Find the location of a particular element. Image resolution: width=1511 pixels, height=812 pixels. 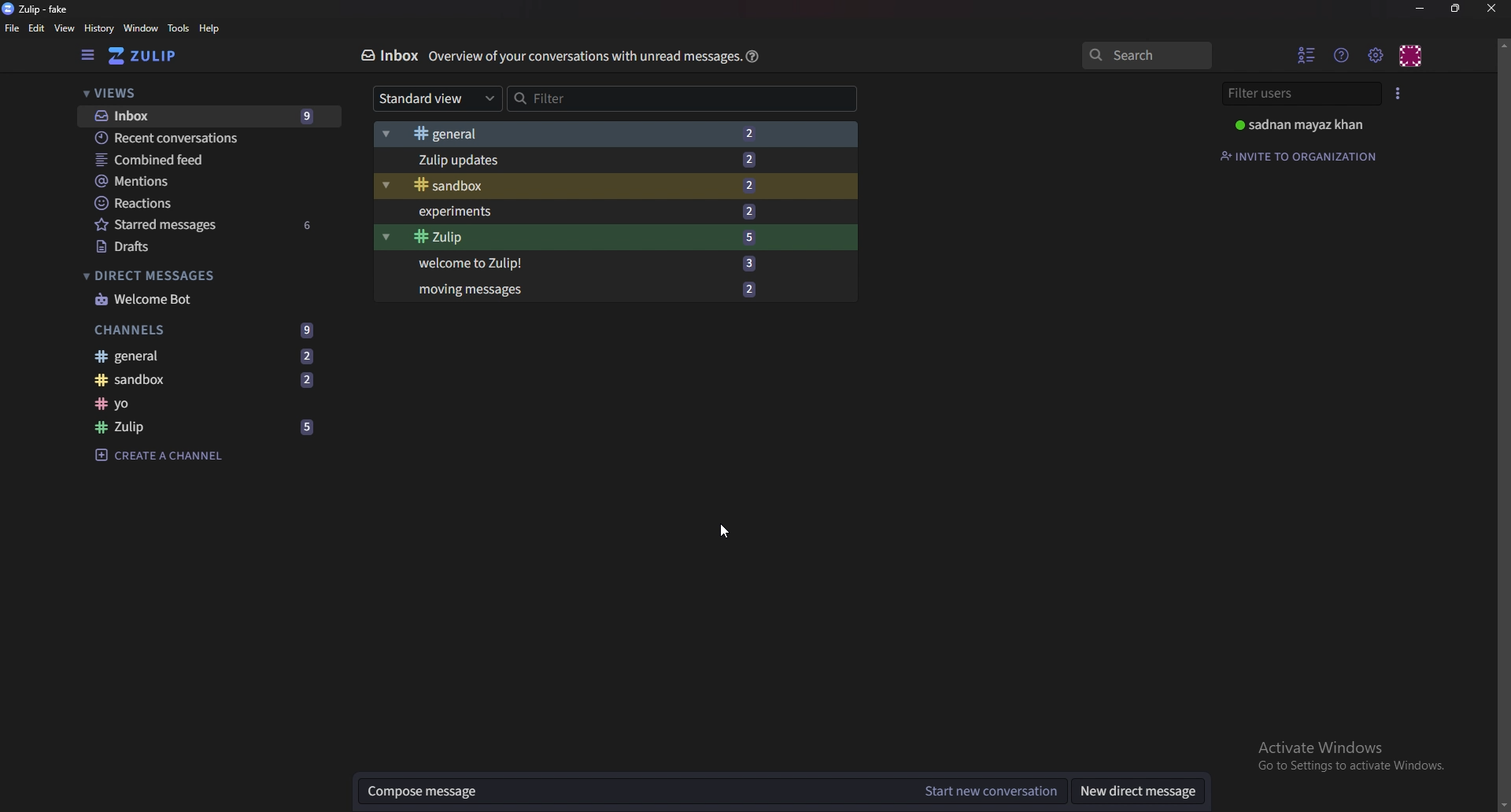

Invite to organization is located at coordinates (1300, 157).